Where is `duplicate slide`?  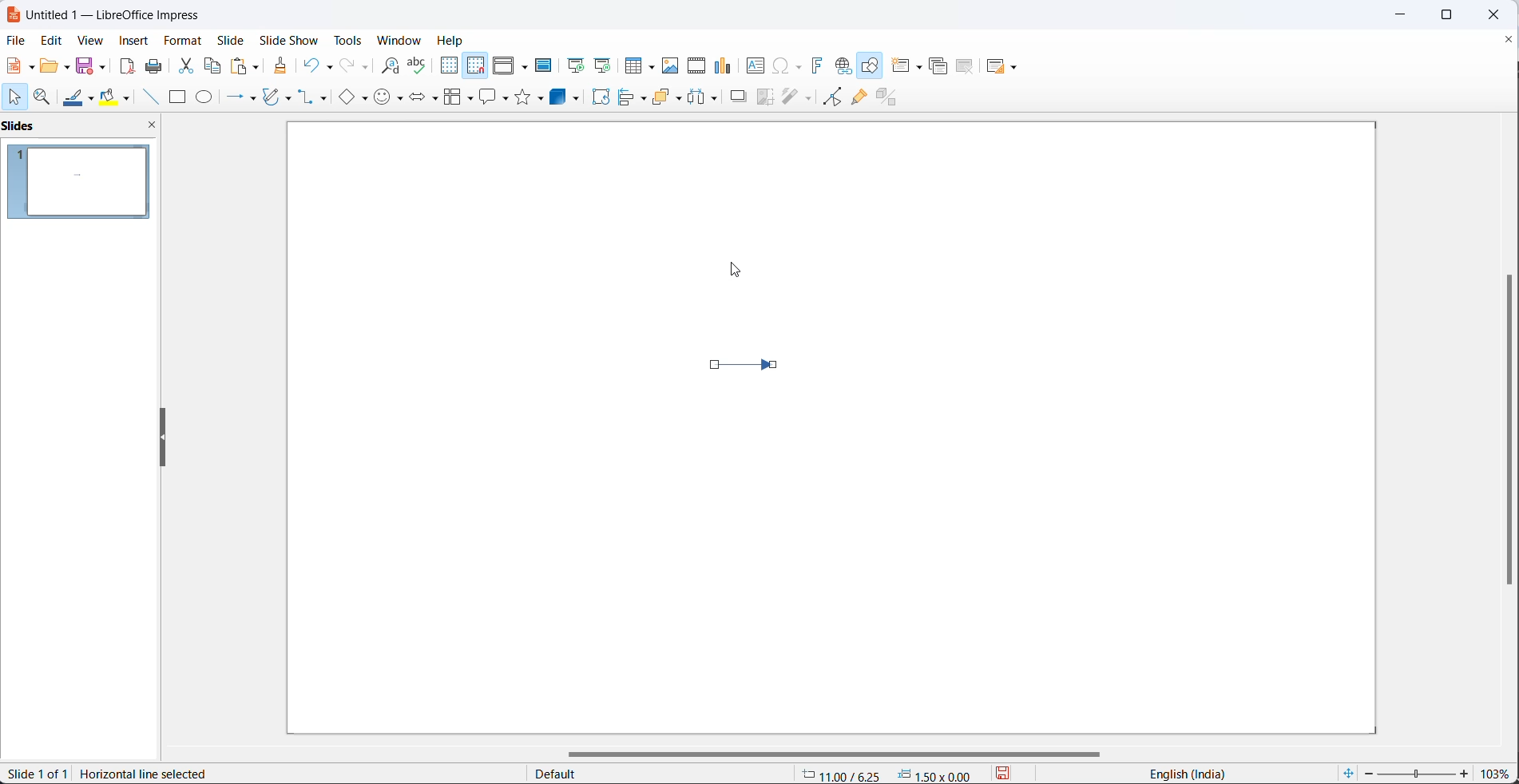 duplicate slide is located at coordinates (936, 68).